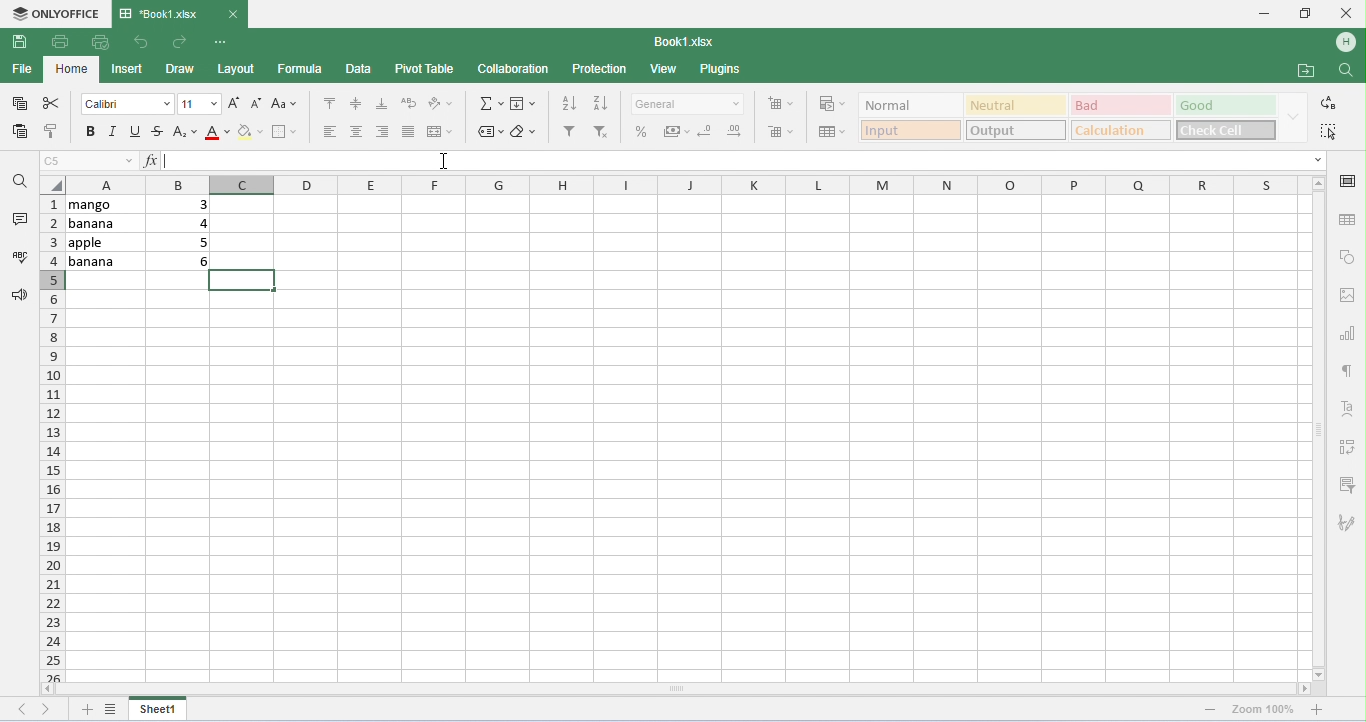 The image size is (1366, 722). Describe the element at coordinates (128, 71) in the screenshot. I see `insert` at that location.